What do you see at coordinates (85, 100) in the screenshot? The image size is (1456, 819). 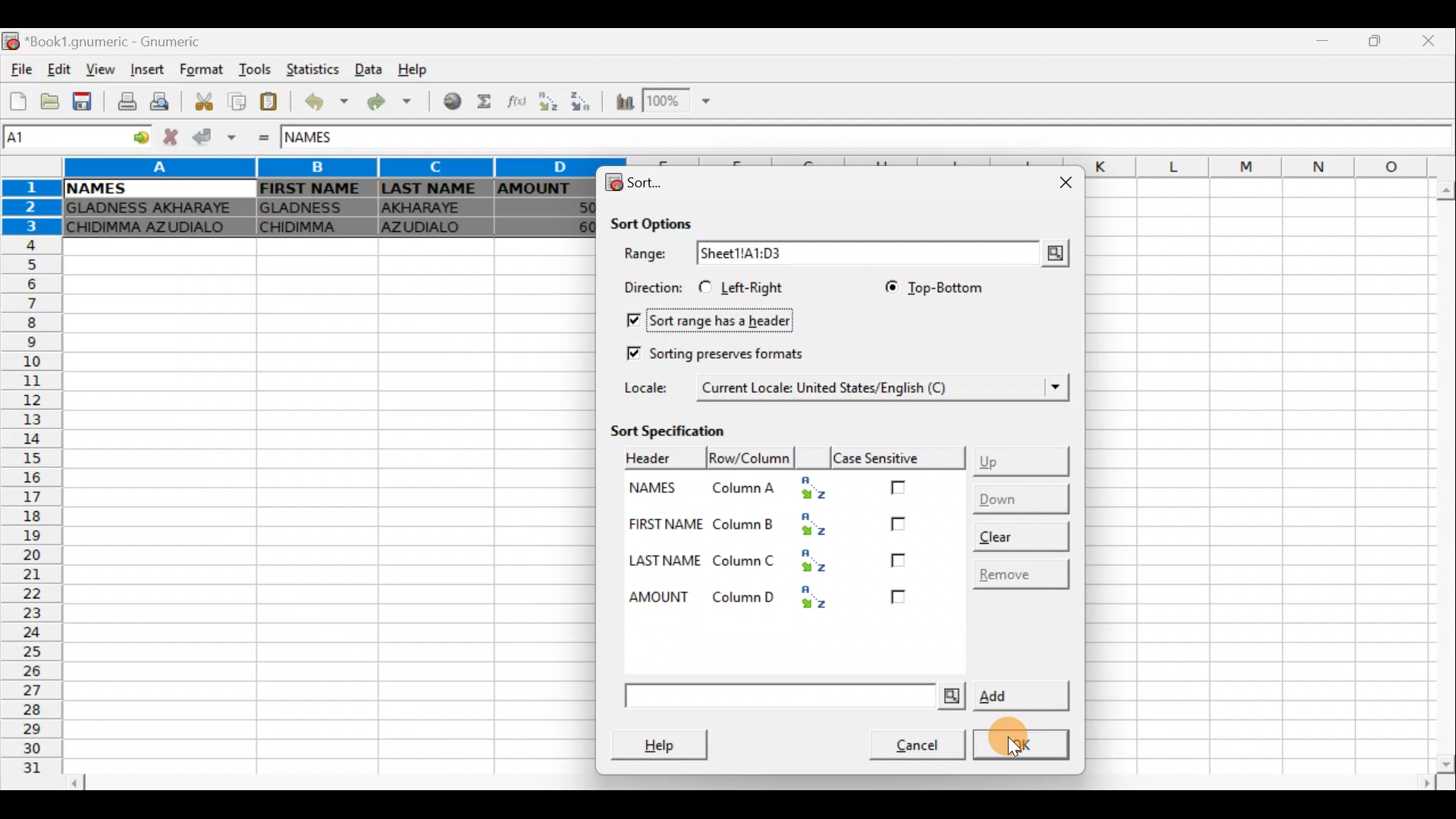 I see `Save current workbook` at bounding box center [85, 100].